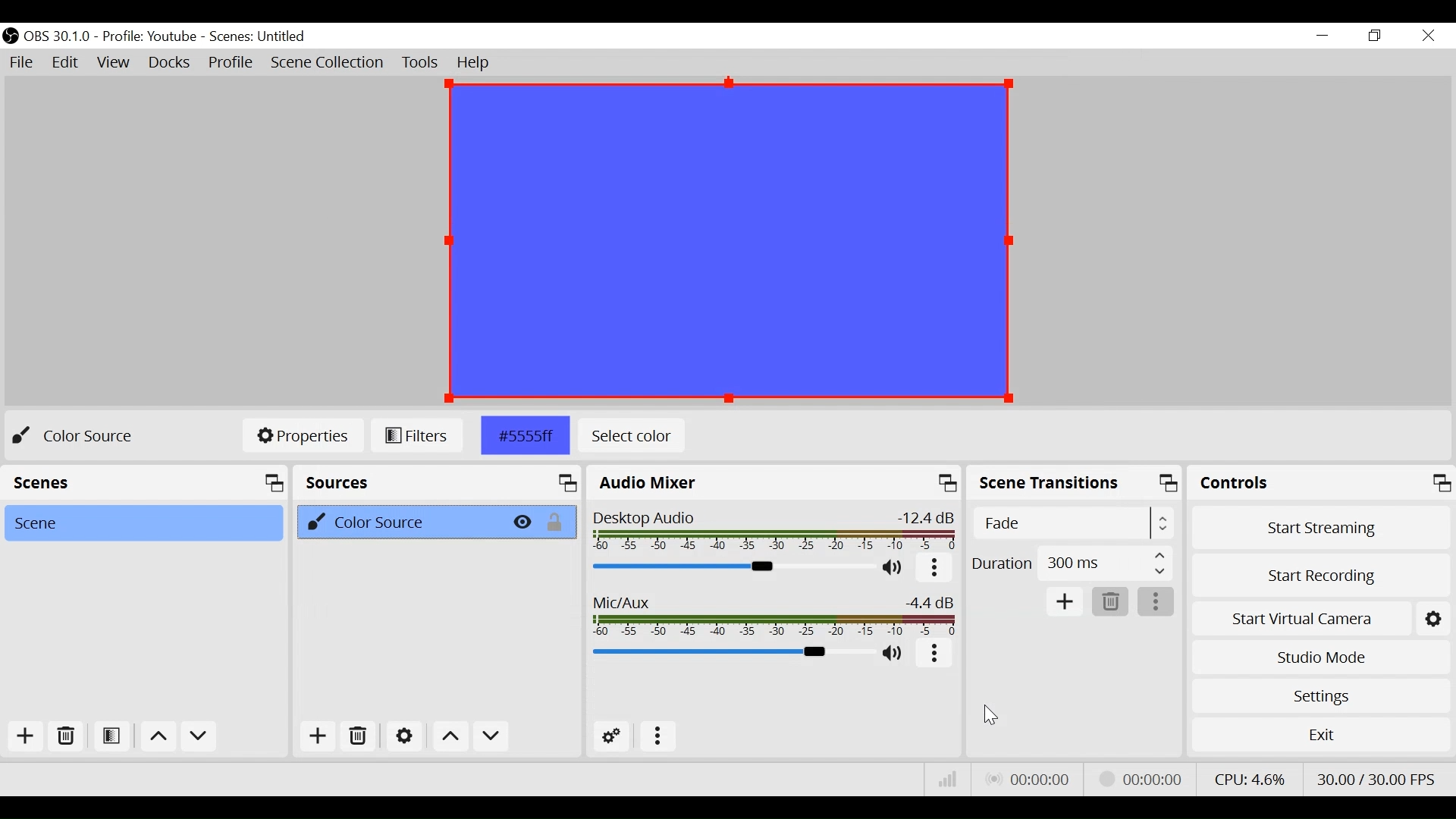  I want to click on Close, so click(1427, 37).